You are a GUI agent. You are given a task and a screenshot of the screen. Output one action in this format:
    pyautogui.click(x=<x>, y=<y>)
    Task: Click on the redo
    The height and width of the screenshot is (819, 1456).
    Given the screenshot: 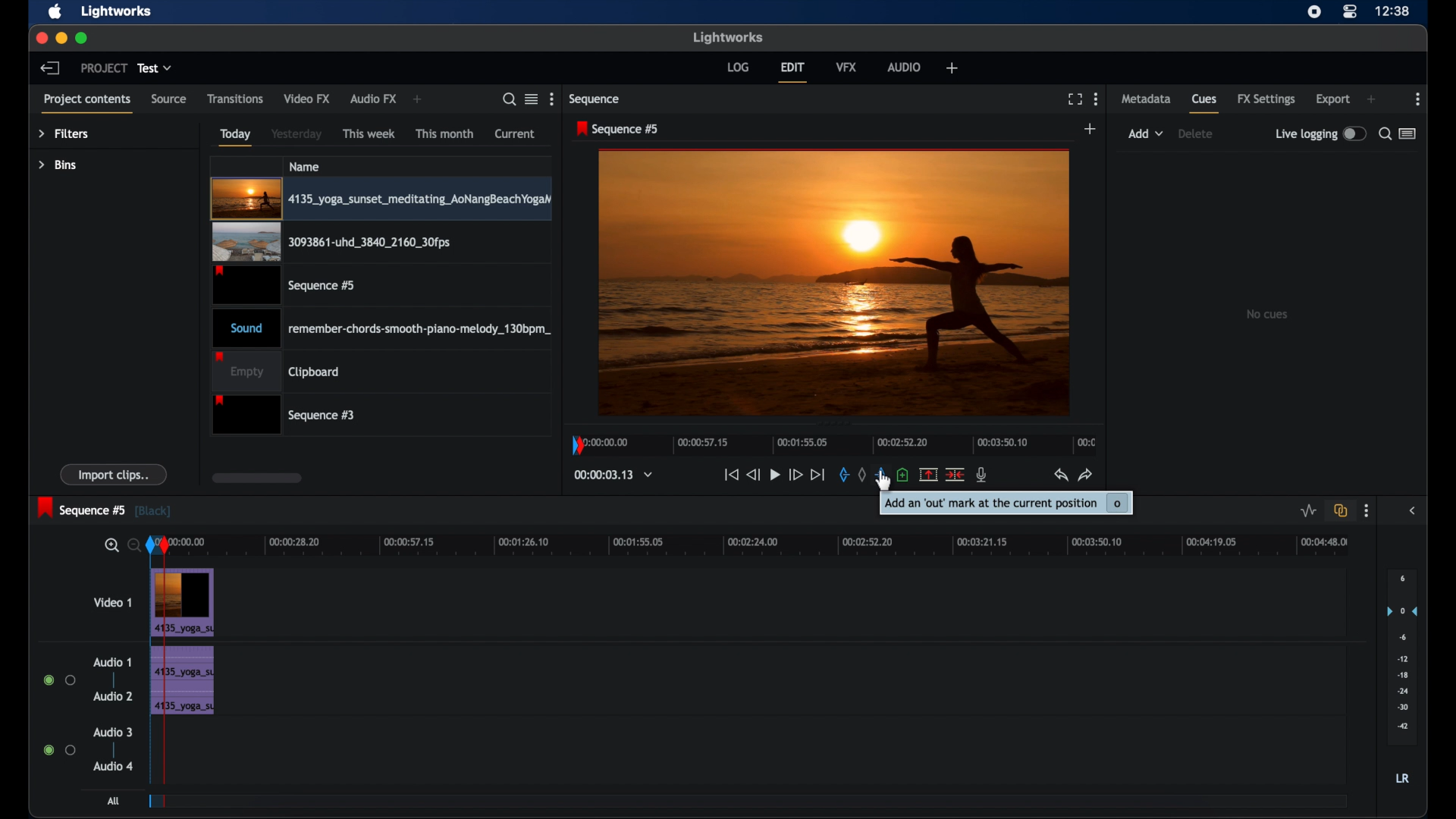 What is the action you would take?
    pyautogui.click(x=1086, y=475)
    